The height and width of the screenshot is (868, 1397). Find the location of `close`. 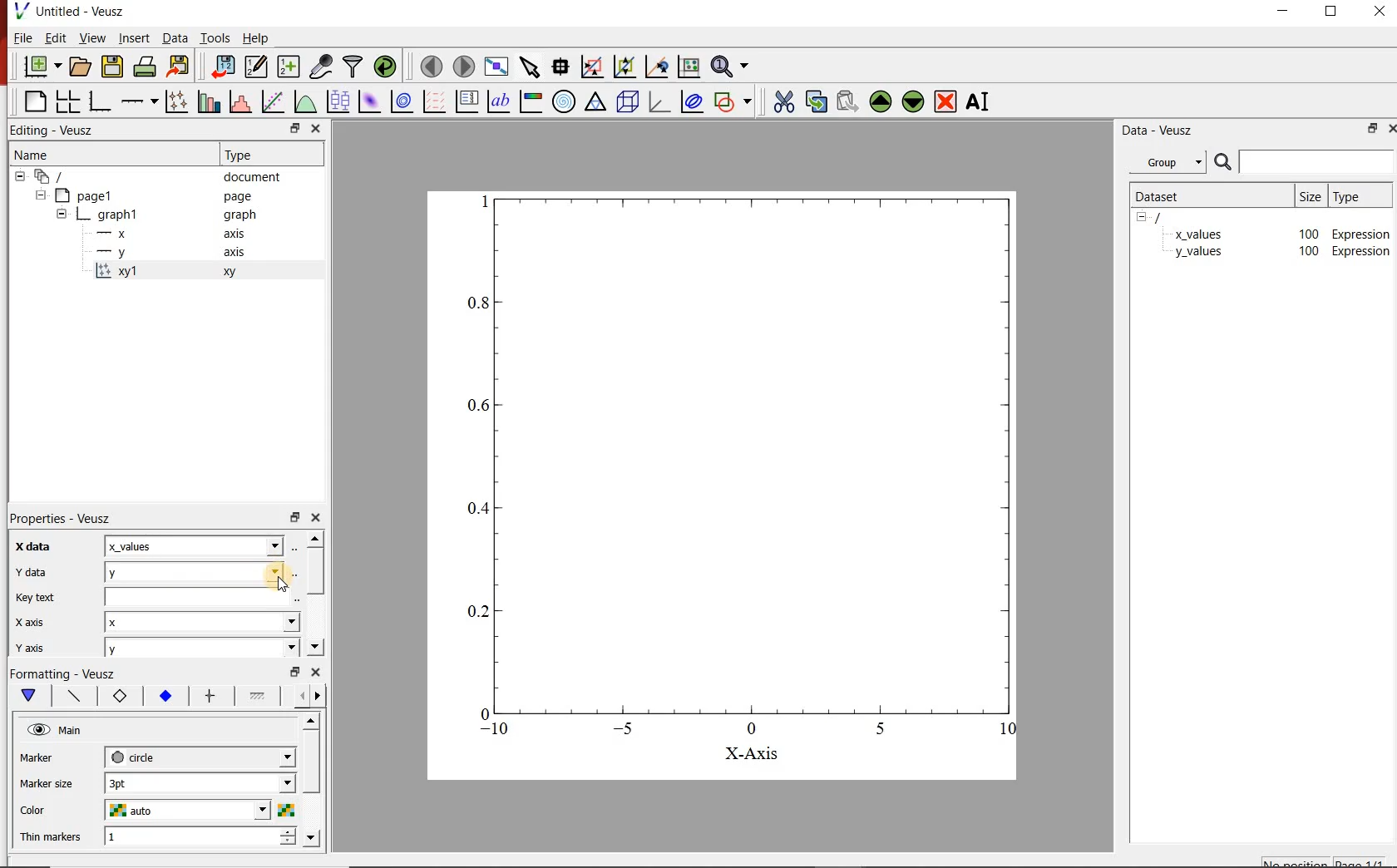

close is located at coordinates (1389, 128).